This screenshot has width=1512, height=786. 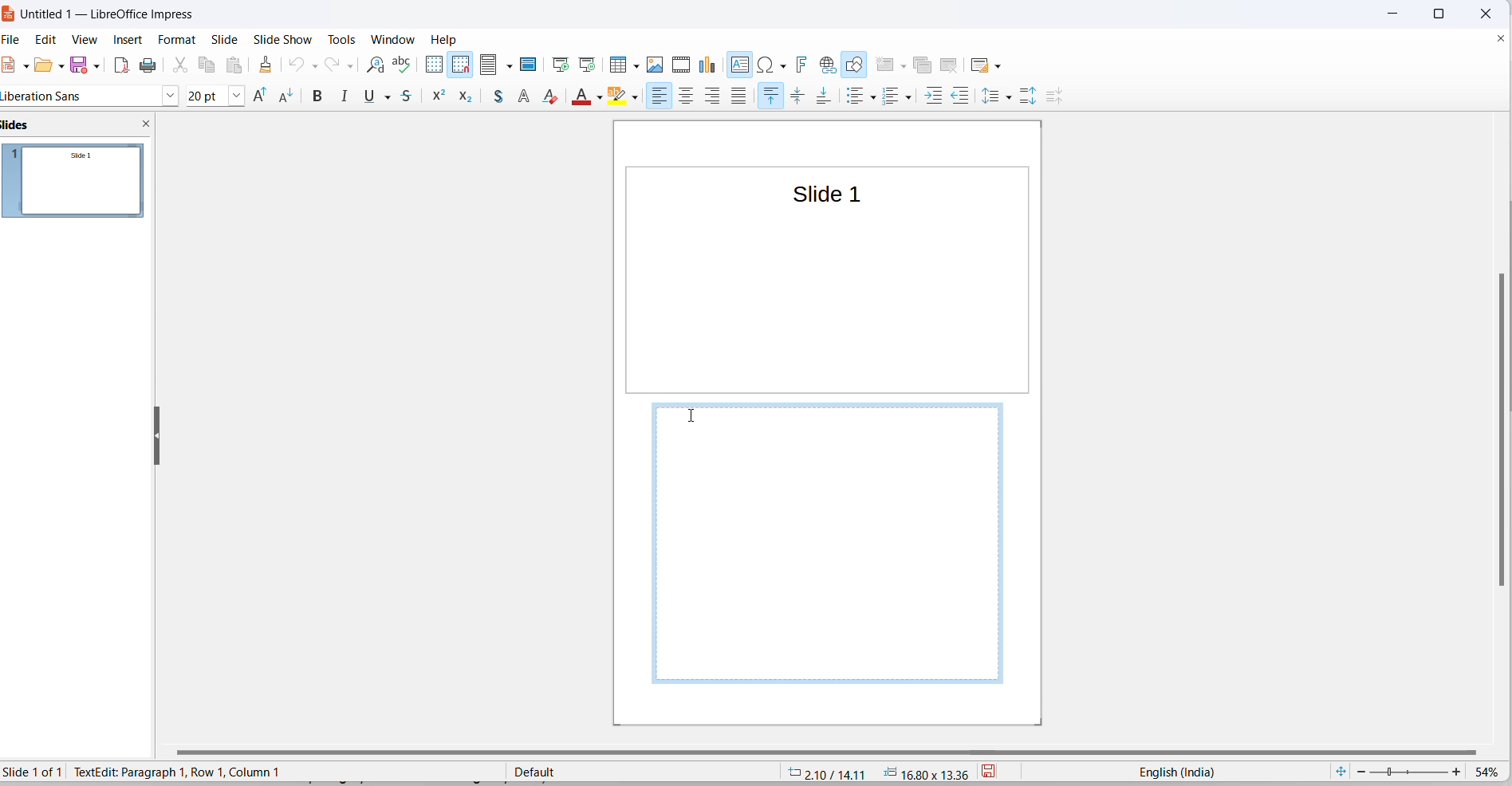 I want to click on display views icons, so click(x=490, y=65).